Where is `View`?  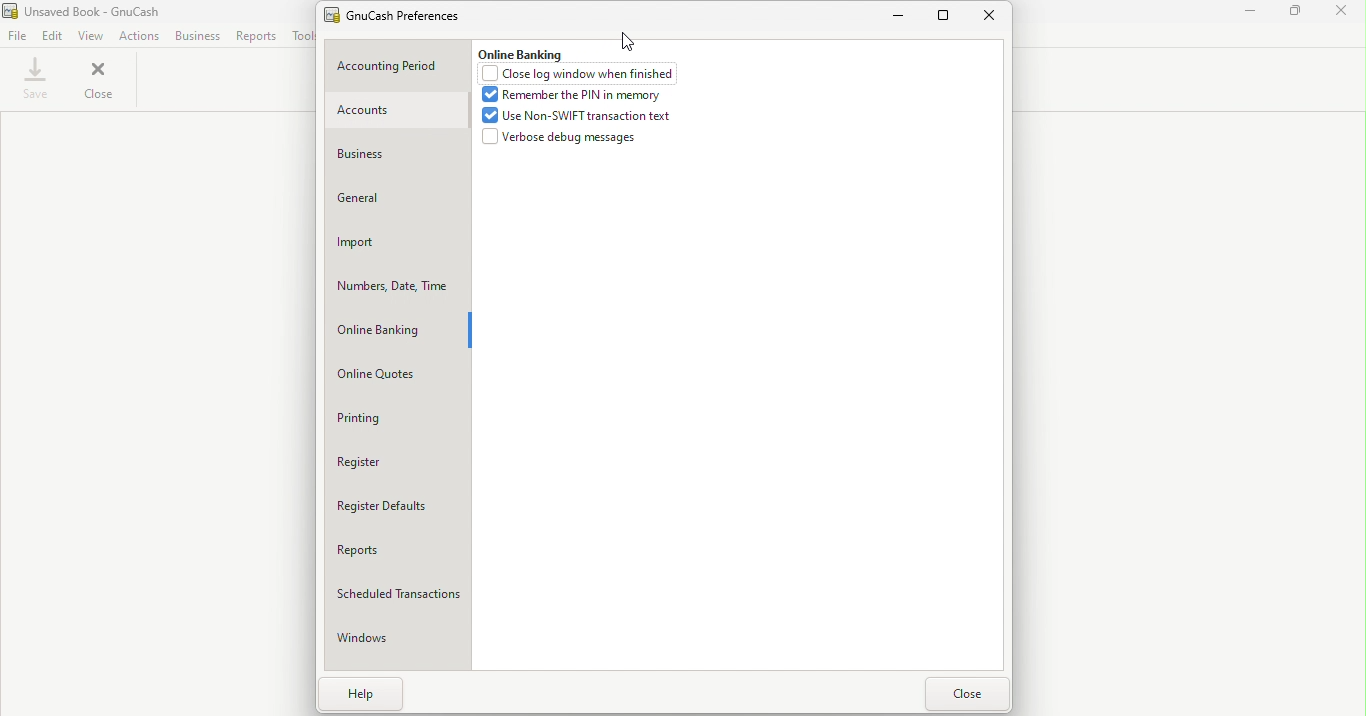 View is located at coordinates (89, 34).